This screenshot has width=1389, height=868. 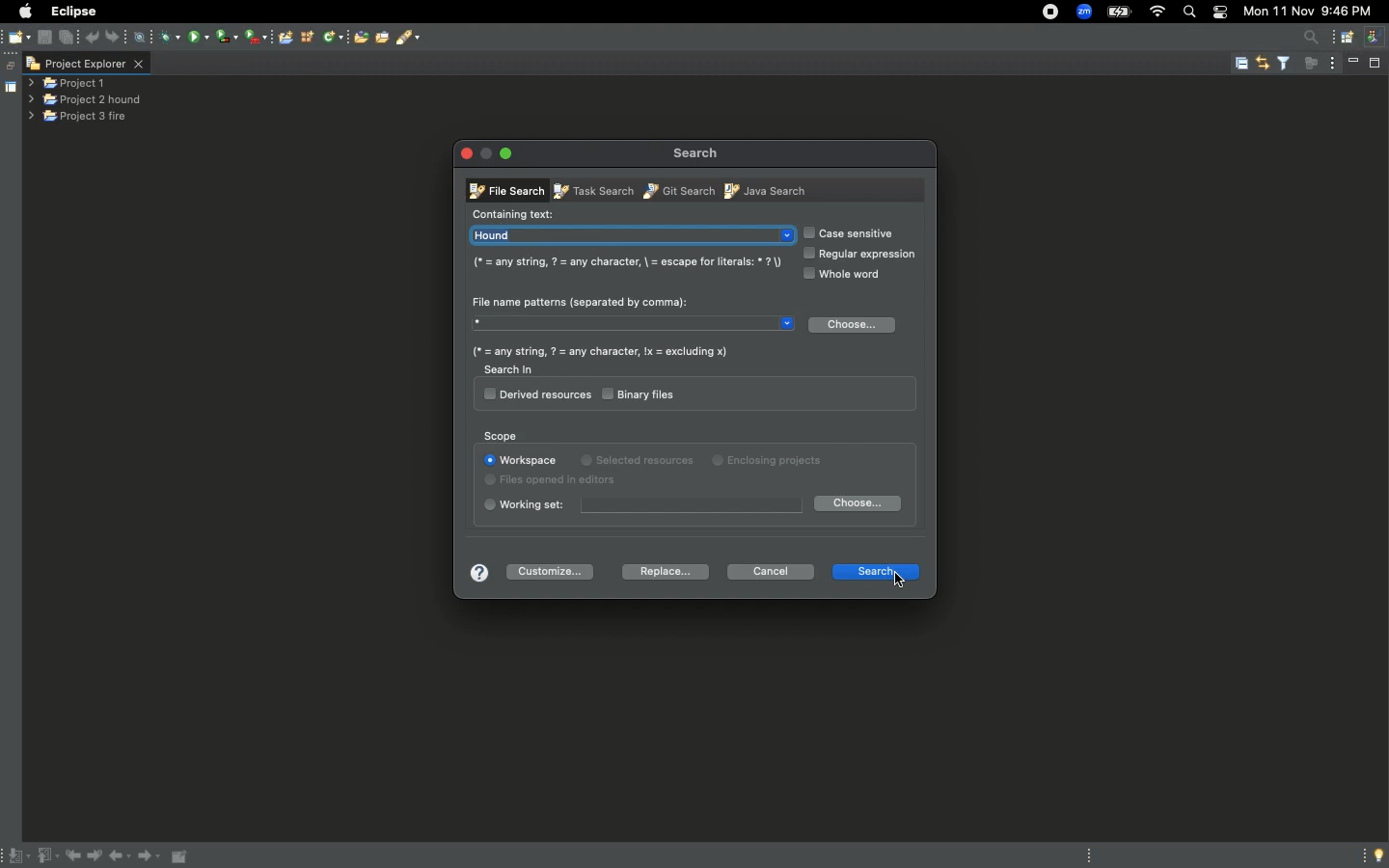 What do you see at coordinates (1345, 39) in the screenshot?
I see `open perspective` at bounding box center [1345, 39].